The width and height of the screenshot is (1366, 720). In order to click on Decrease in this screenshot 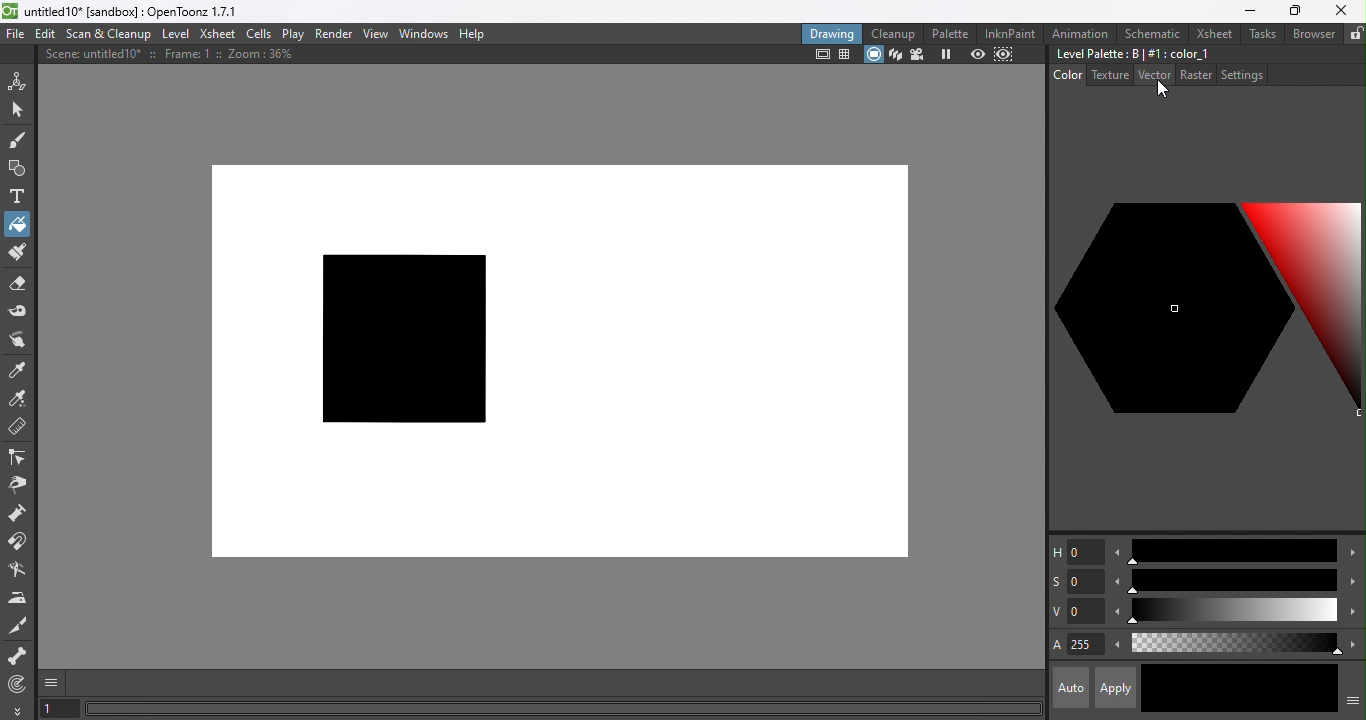, I will do `click(1116, 613)`.